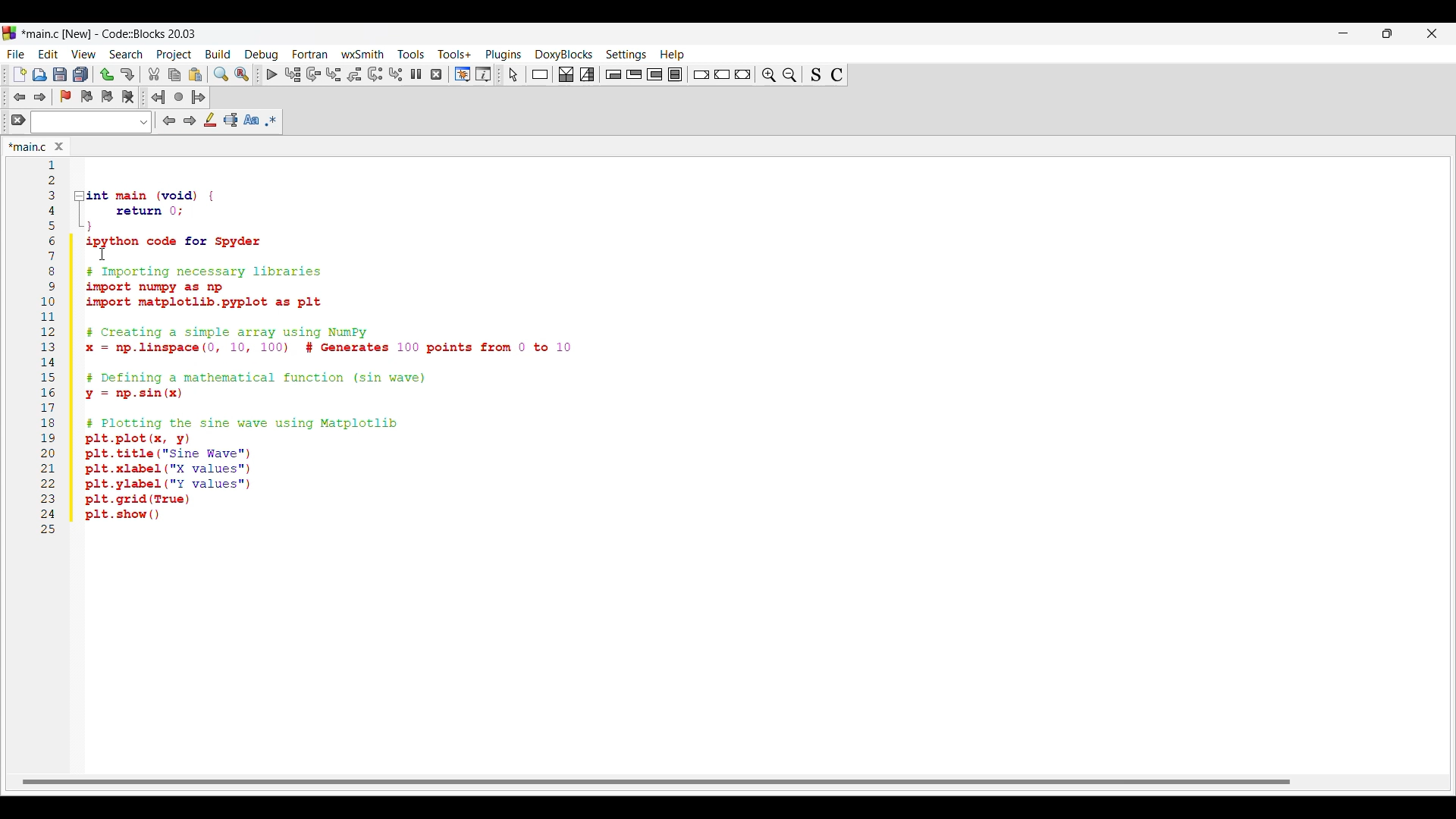  Describe the element at coordinates (657, 780) in the screenshot. I see `horizontal scroll bar` at that location.